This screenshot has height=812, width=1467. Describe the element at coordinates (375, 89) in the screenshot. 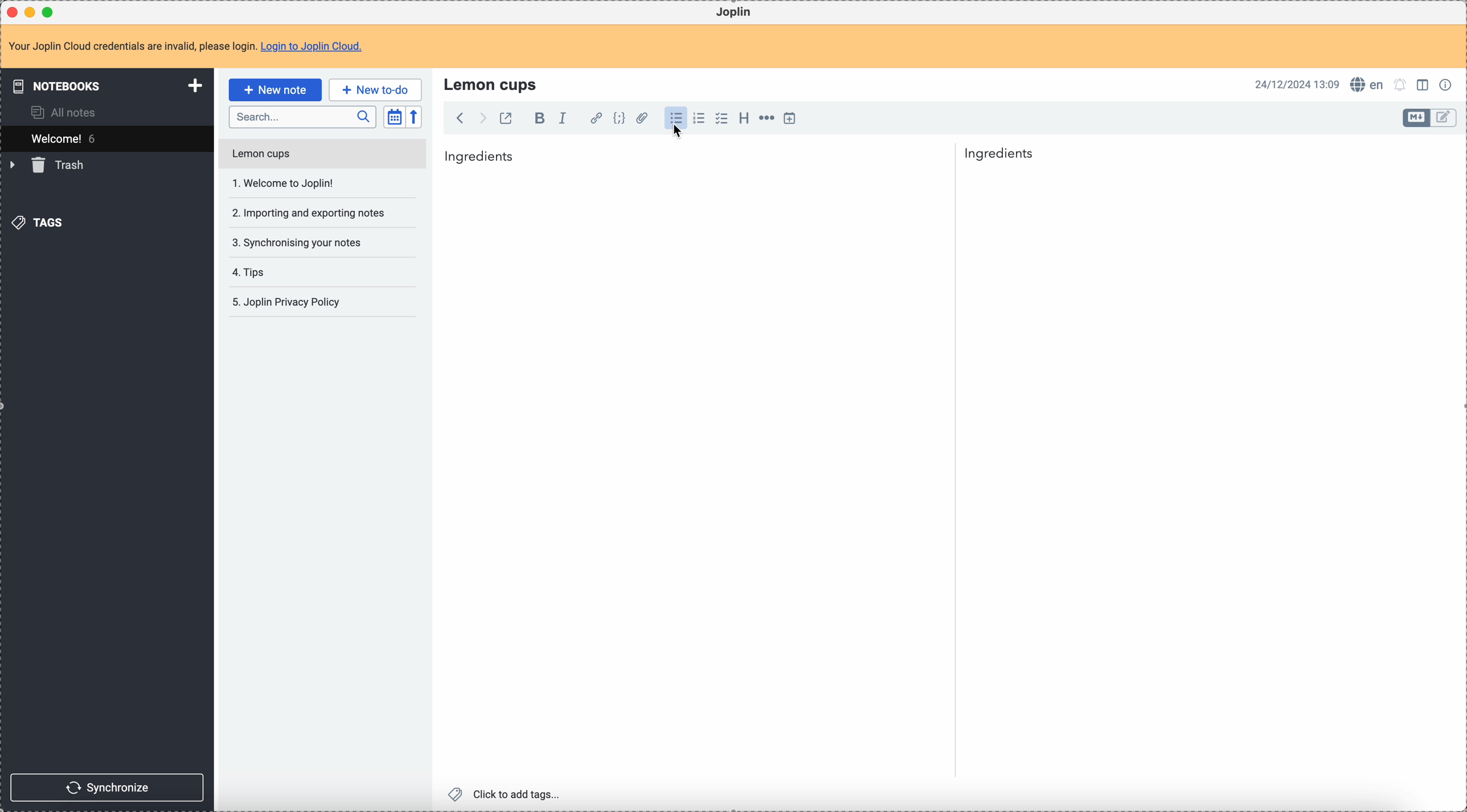

I see `new to-do` at that location.